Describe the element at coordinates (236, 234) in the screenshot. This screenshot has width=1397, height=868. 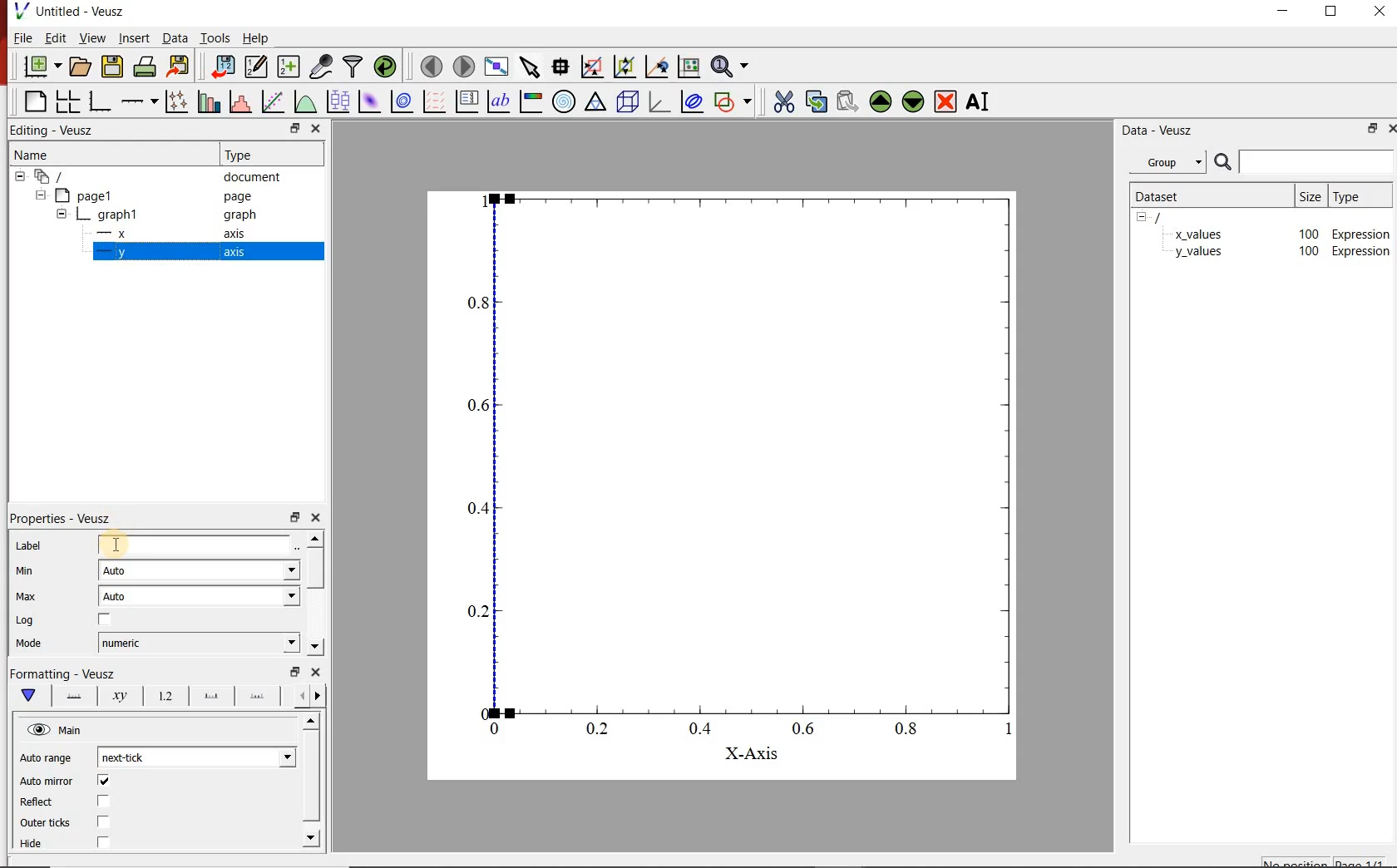
I see `axis` at that location.